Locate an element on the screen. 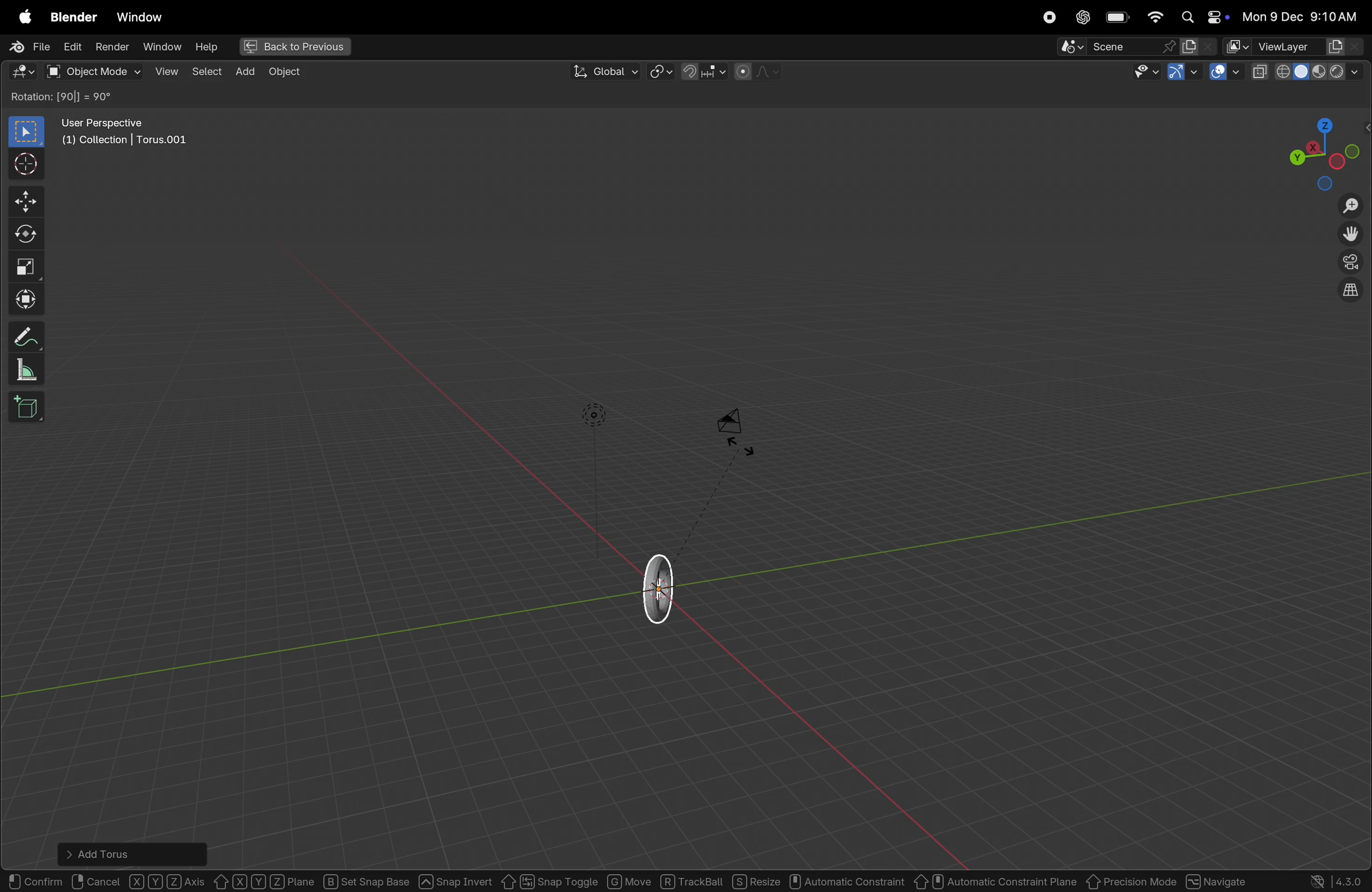 This screenshot has width=1372, height=892. trackball is located at coordinates (692, 881).